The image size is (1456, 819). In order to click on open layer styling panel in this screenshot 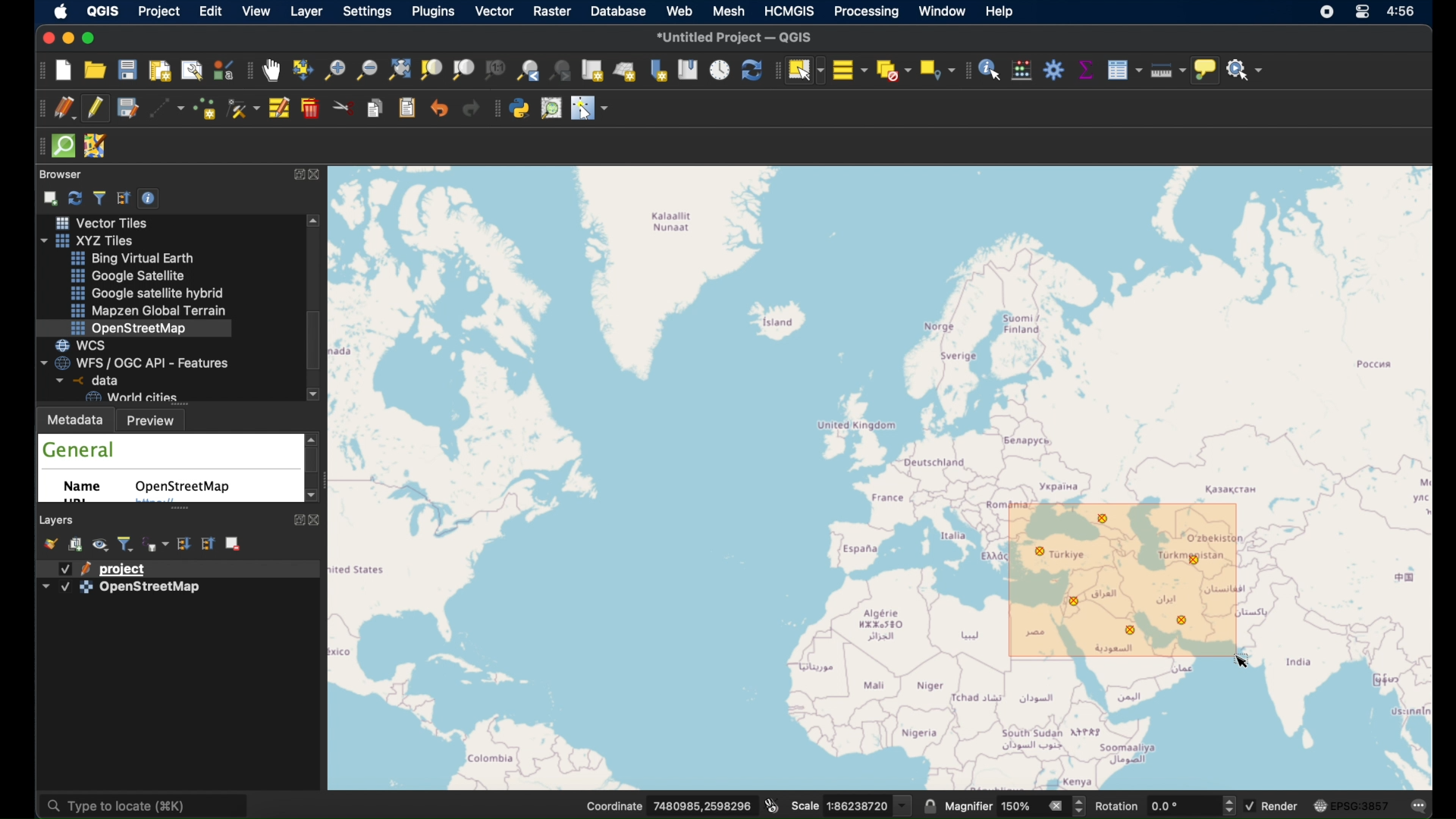, I will do `click(52, 544)`.